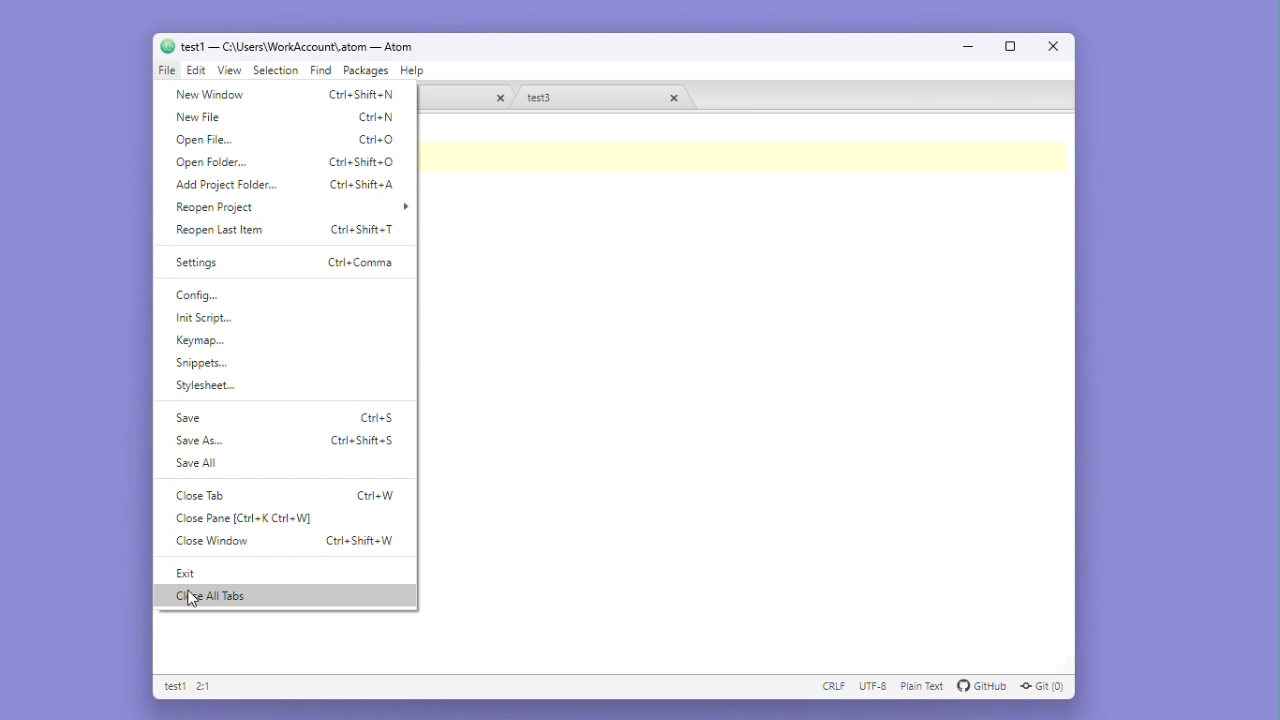 This screenshot has width=1280, height=720. Describe the element at coordinates (1046, 685) in the screenshot. I see `GIT (0)` at that location.